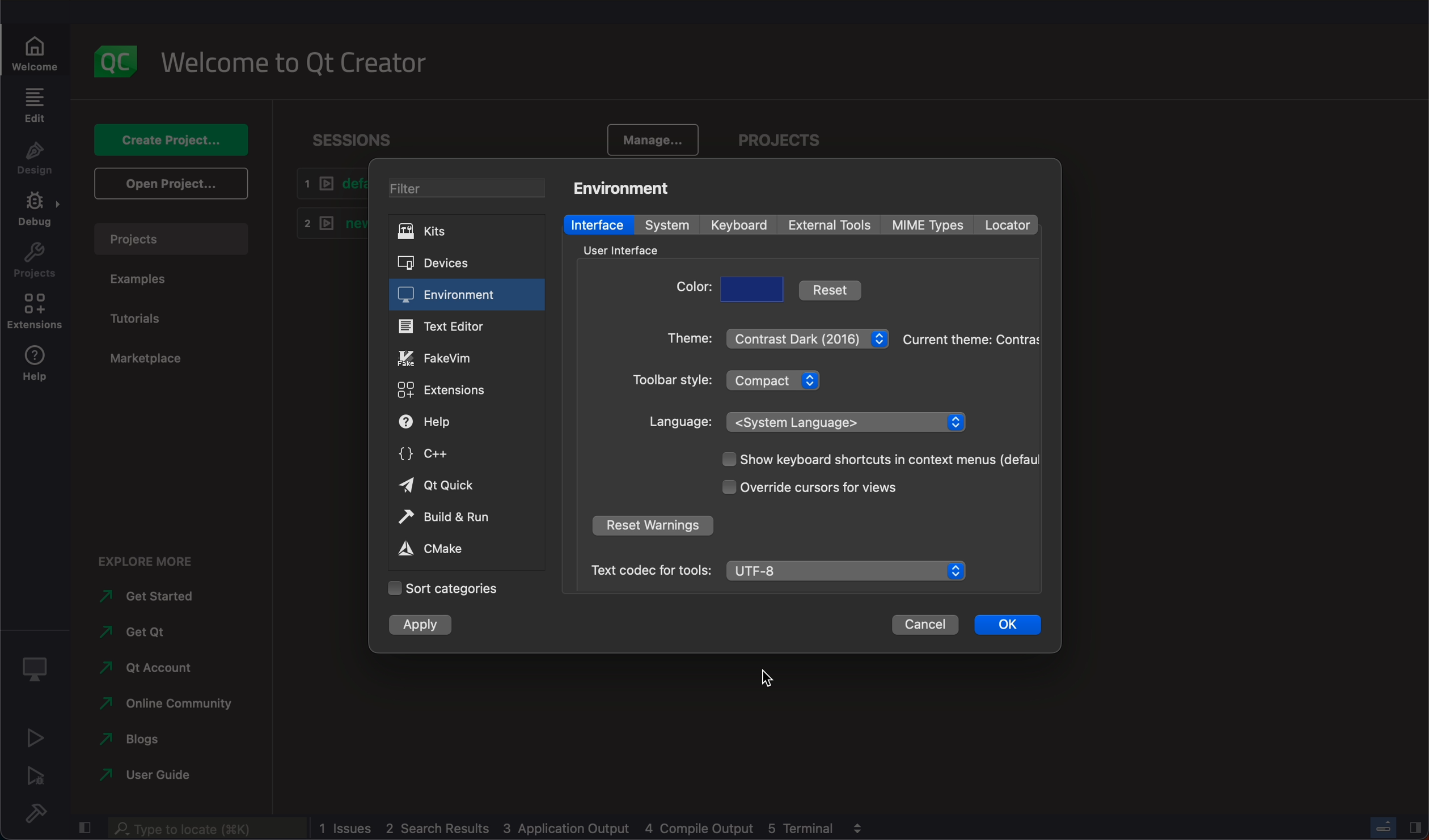 The width and height of the screenshot is (1429, 840). Describe the element at coordinates (684, 341) in the screenshot. I see `theme` at that location.